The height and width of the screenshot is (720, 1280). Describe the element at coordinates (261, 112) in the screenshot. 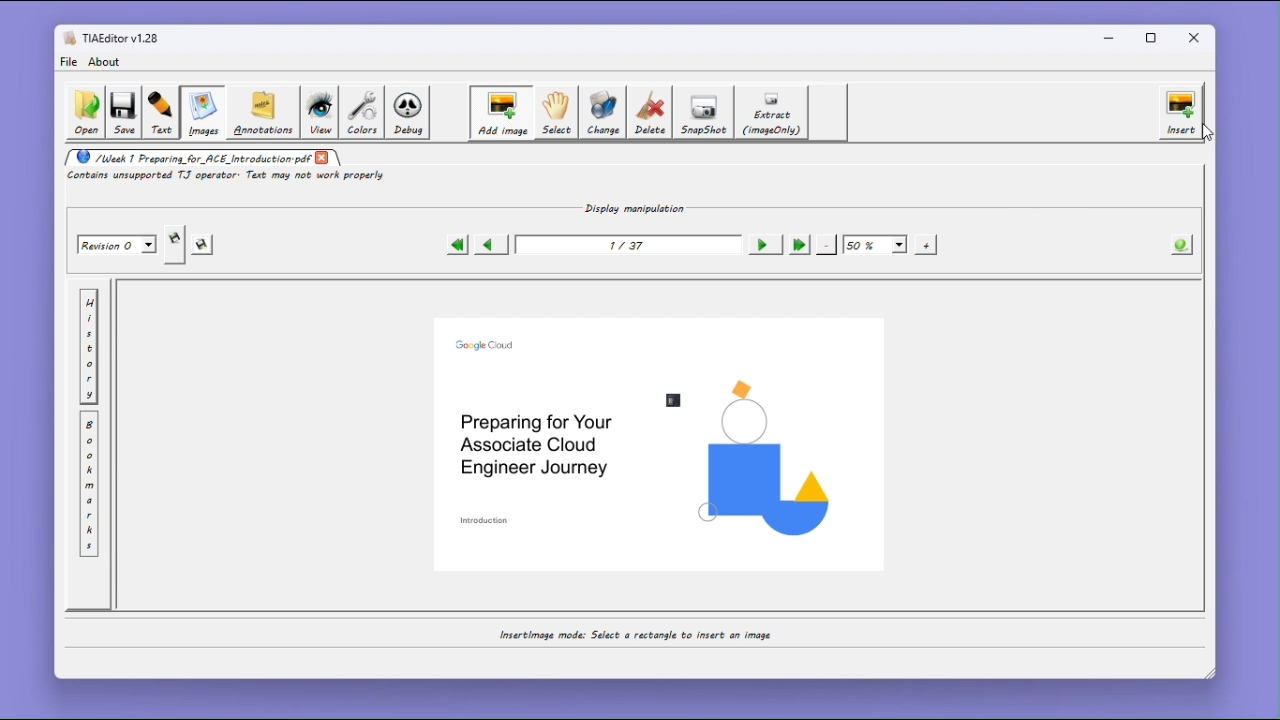

I see `Annotations ` at that location.